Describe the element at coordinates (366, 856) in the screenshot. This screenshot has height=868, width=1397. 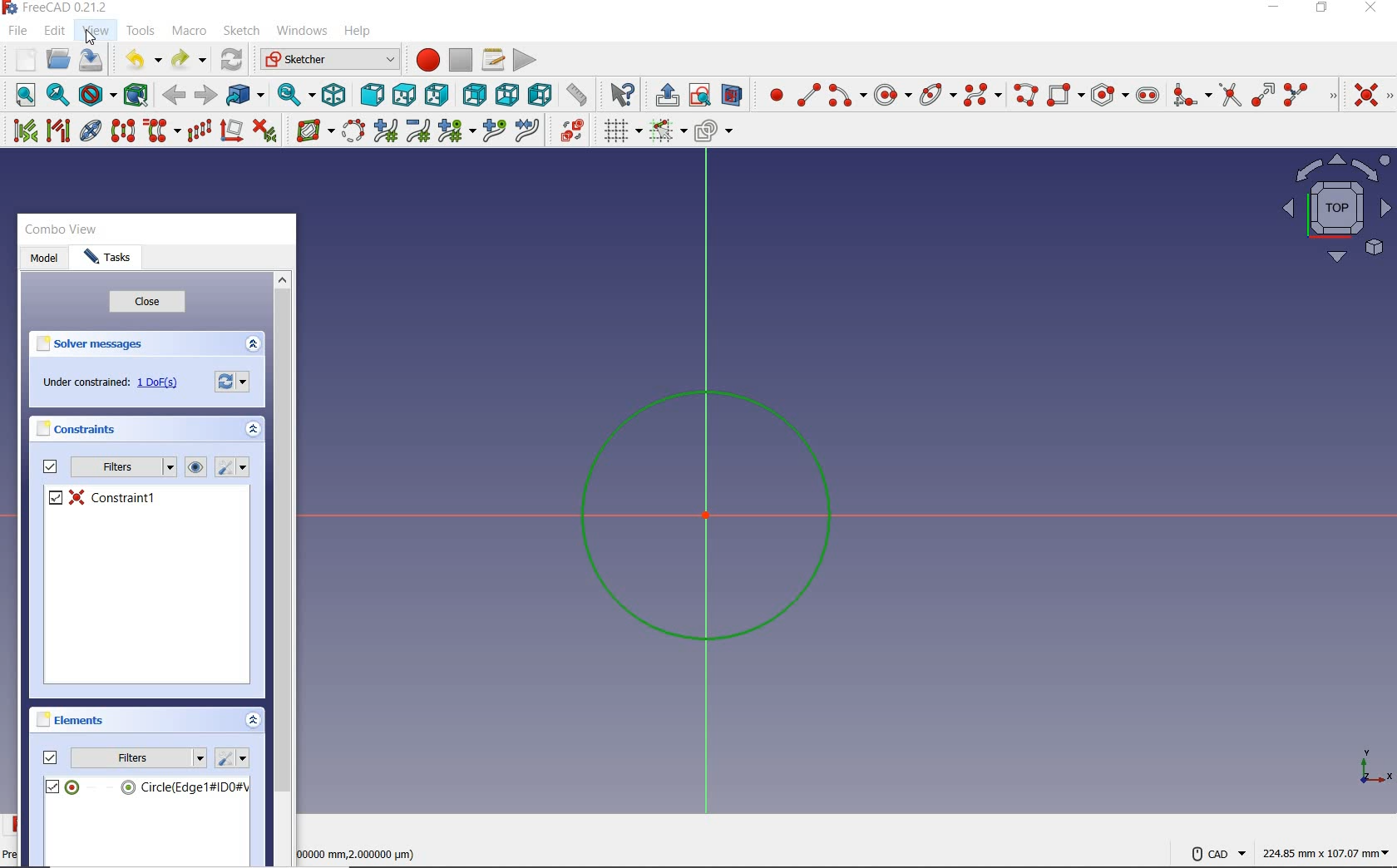
I see `measuremts` at that location.